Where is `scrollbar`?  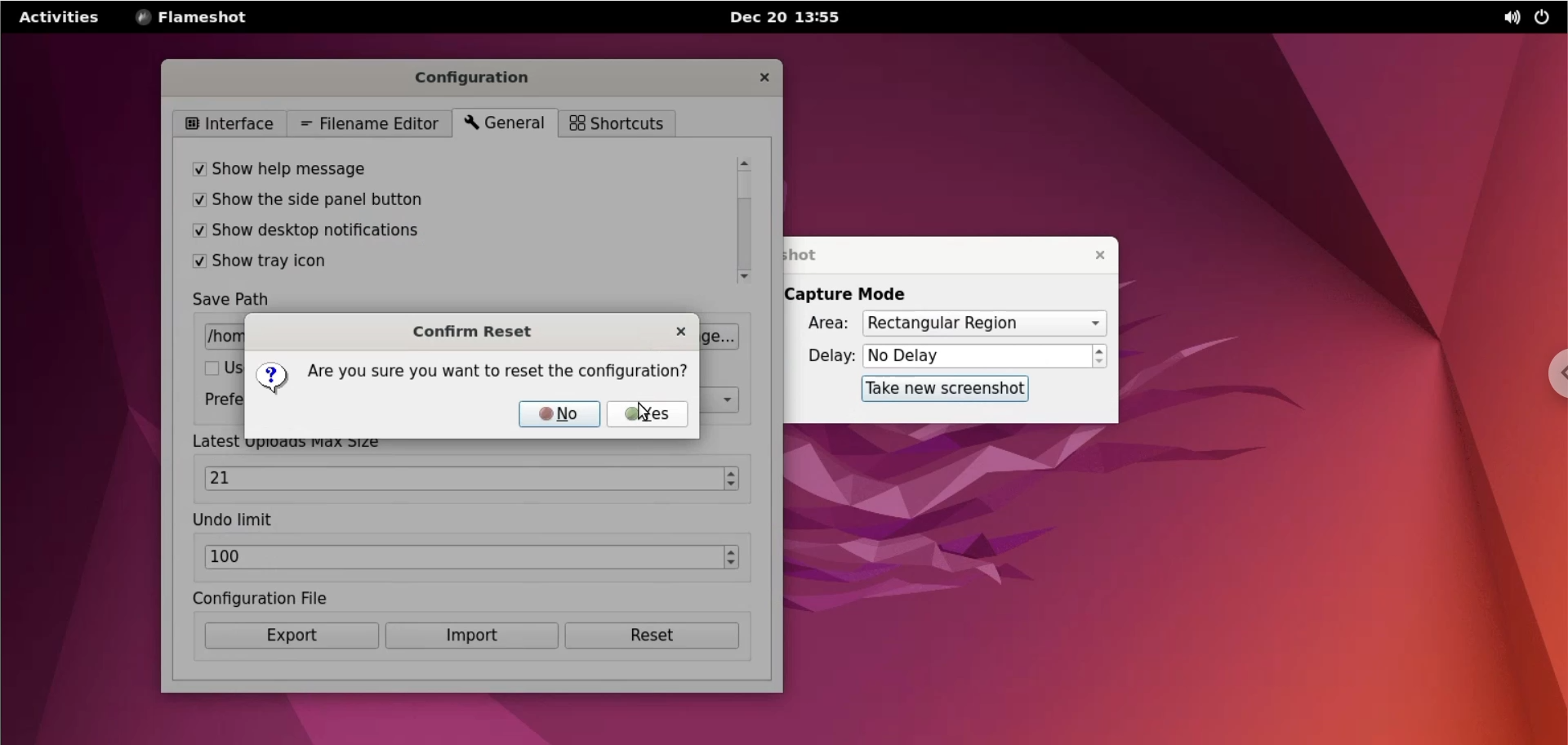
scrollbar is located at coordinates (742, 220).